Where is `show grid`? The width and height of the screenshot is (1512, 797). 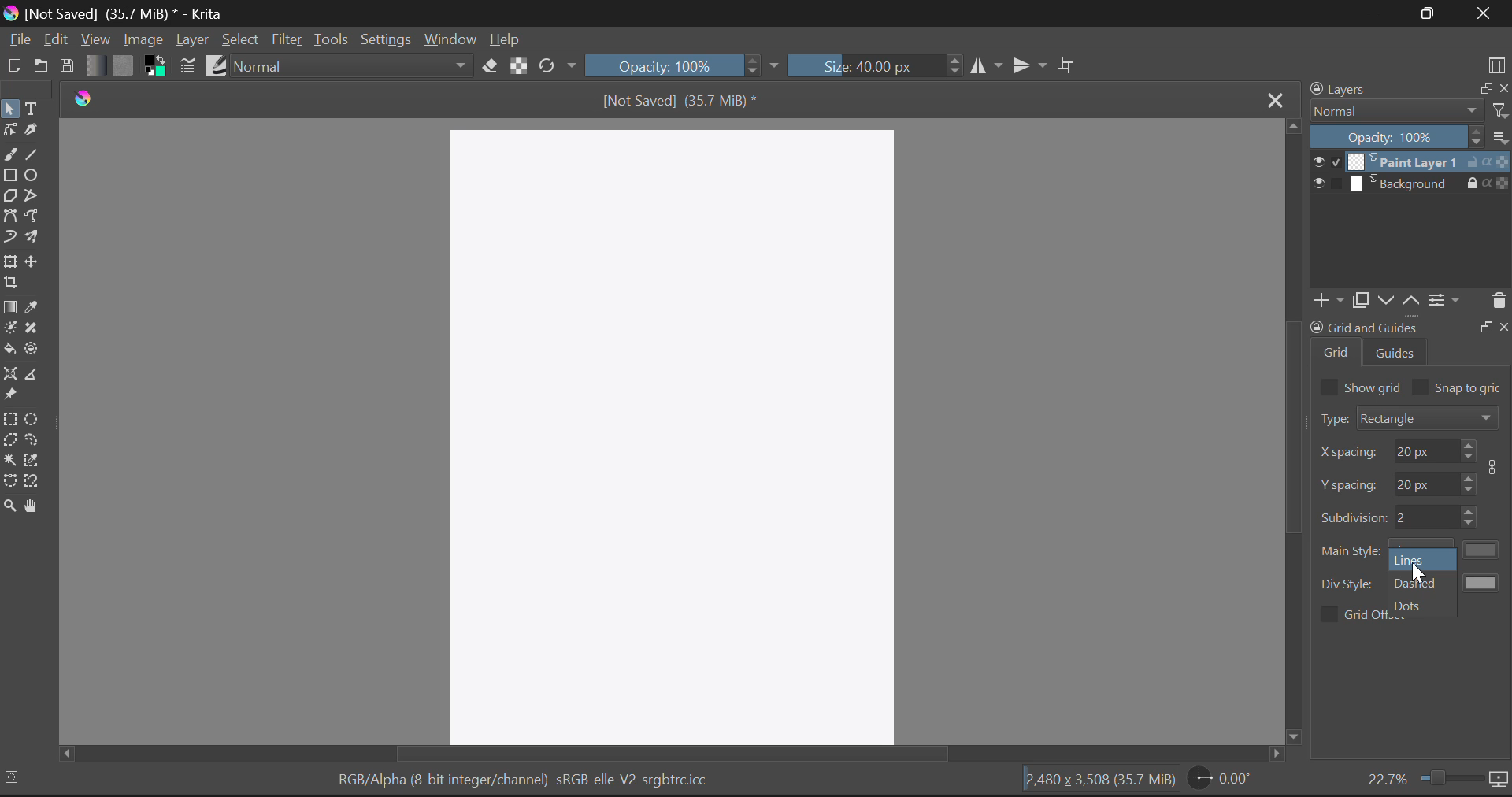 show grid is located at coordinates (1374, 387).